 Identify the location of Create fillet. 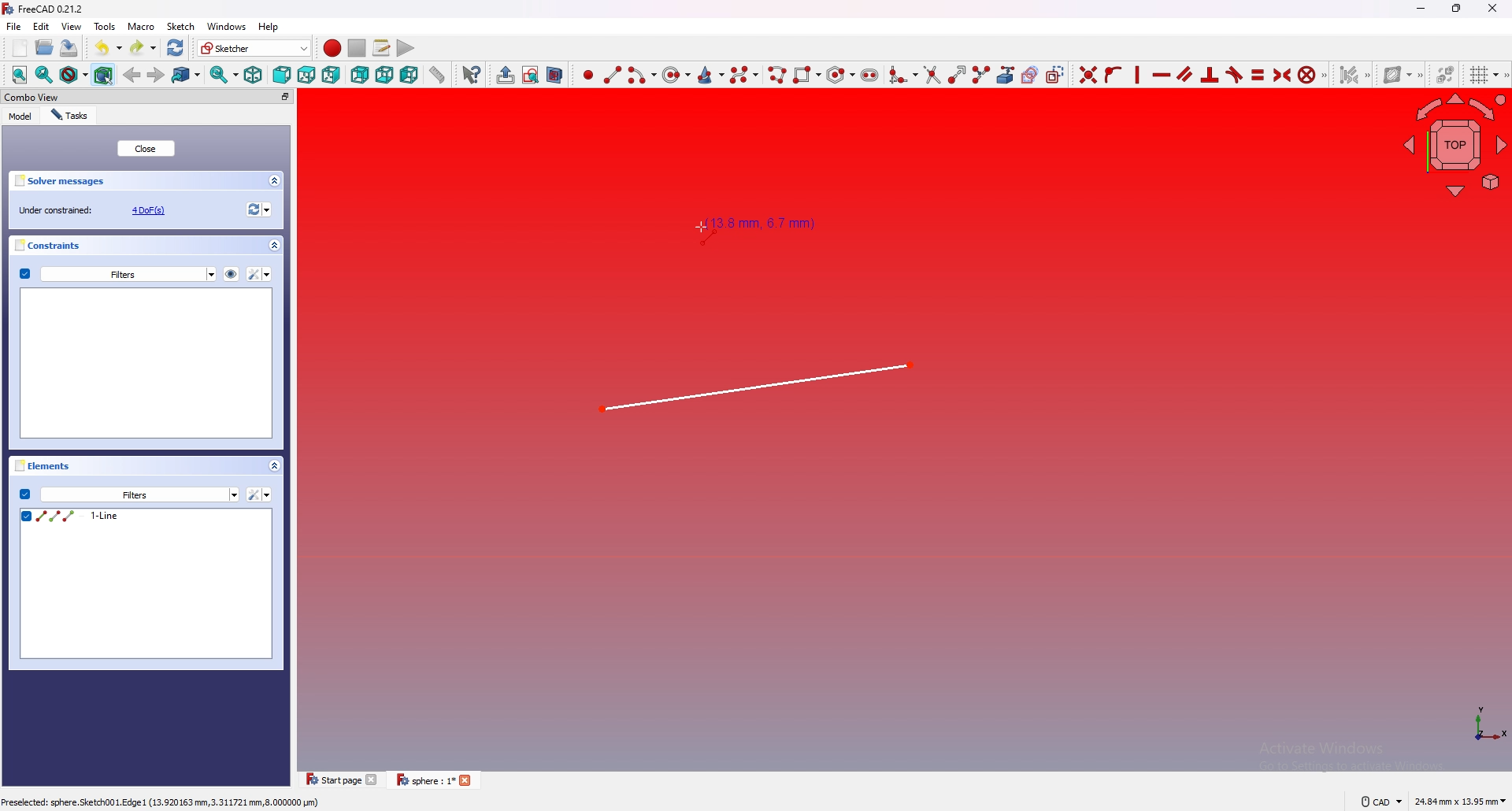
(902, 73).